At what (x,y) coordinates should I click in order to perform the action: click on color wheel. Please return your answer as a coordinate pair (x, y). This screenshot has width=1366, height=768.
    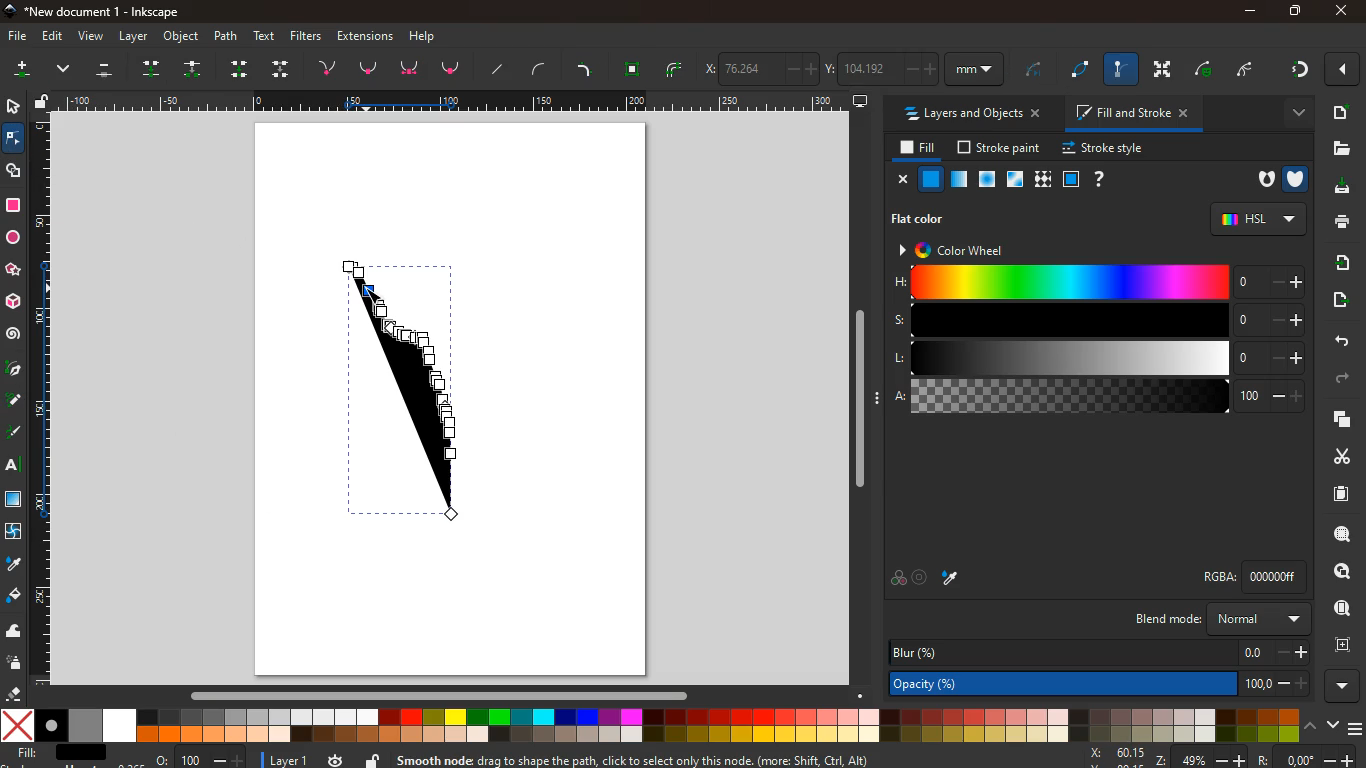
    Looking at the image, I should click on (963, 249).